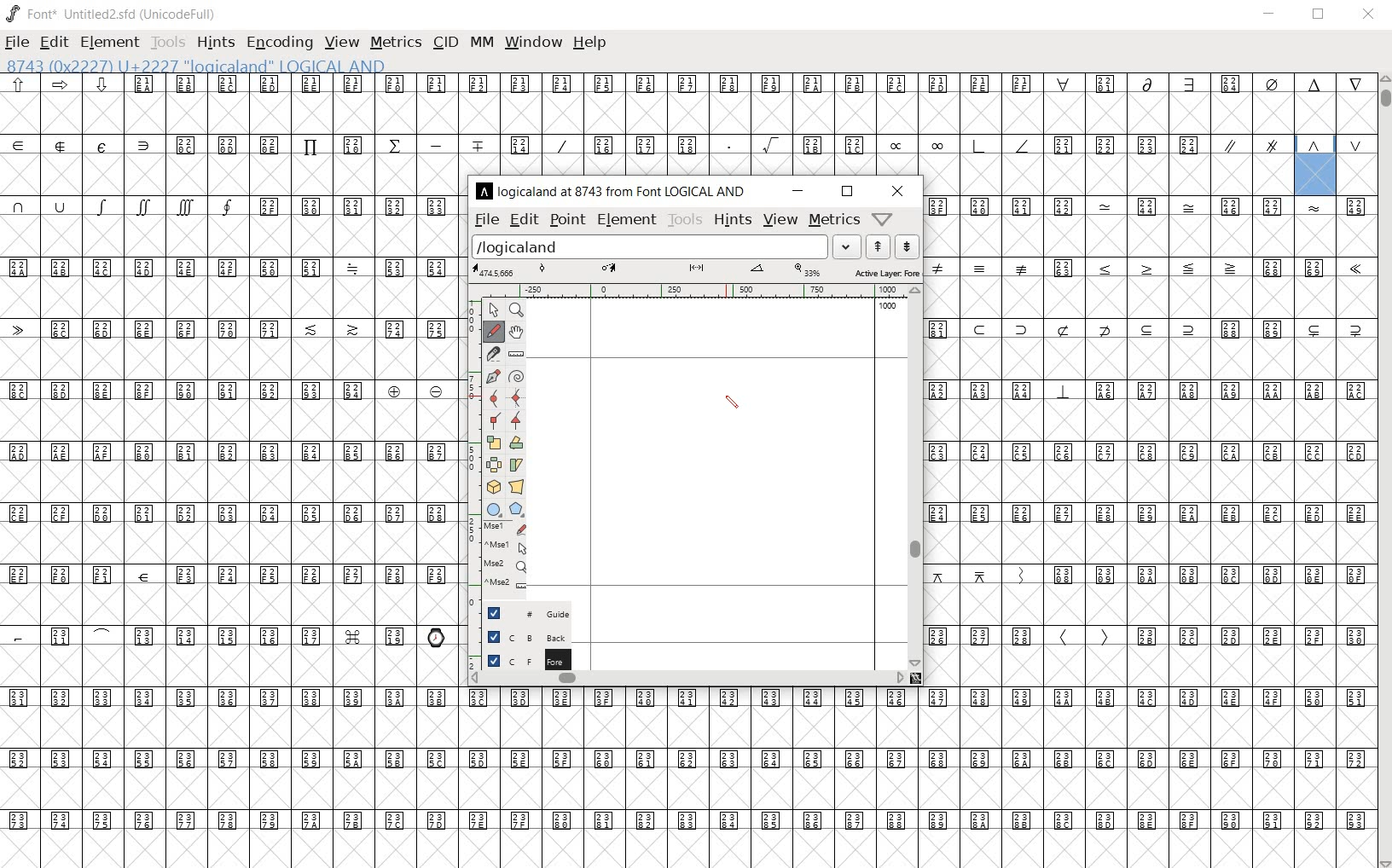  Describe the element at coordinates (445, 41) in the screenshot. I see `cid` at that location.